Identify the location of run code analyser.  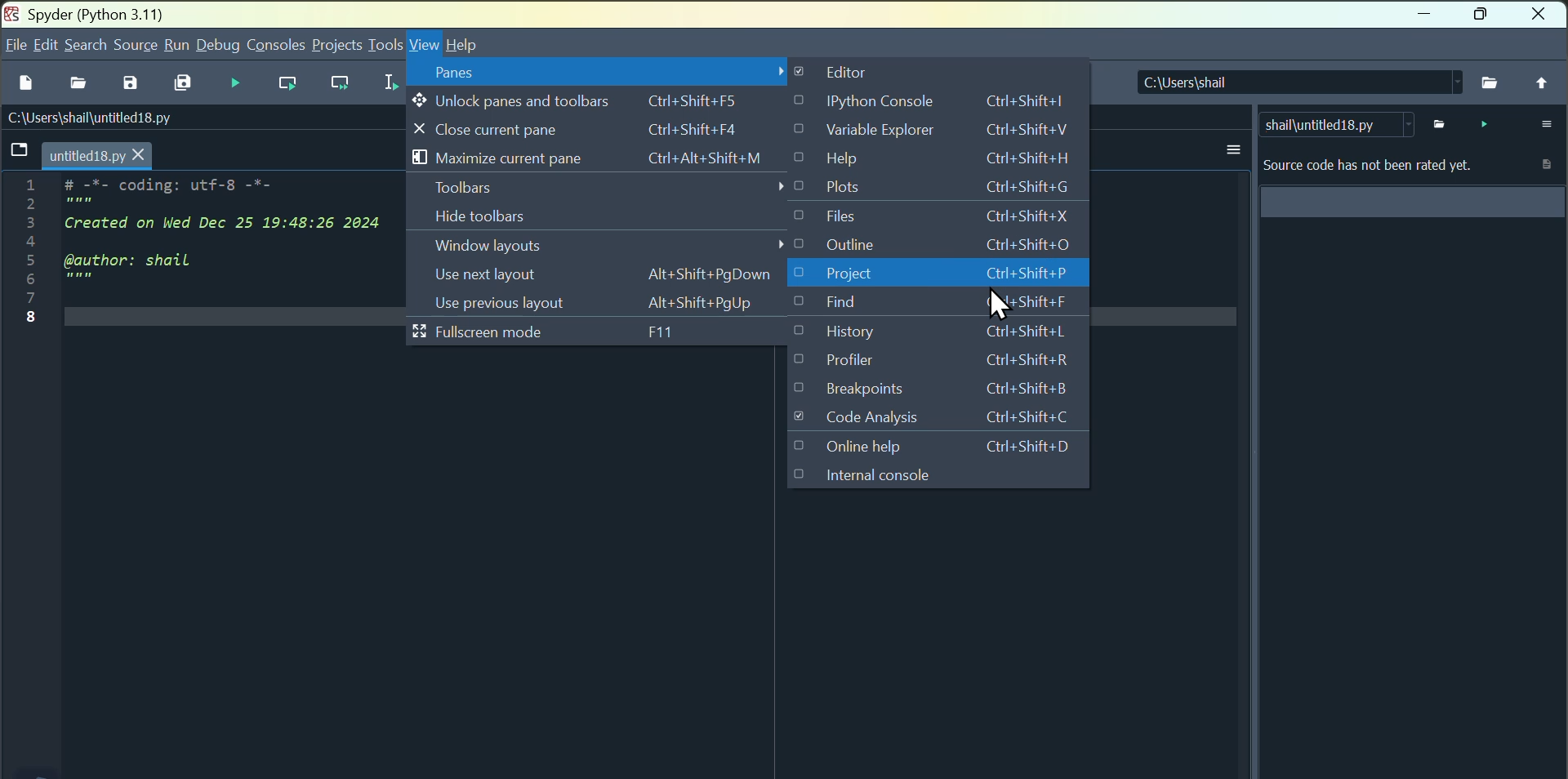
(1483, 123).